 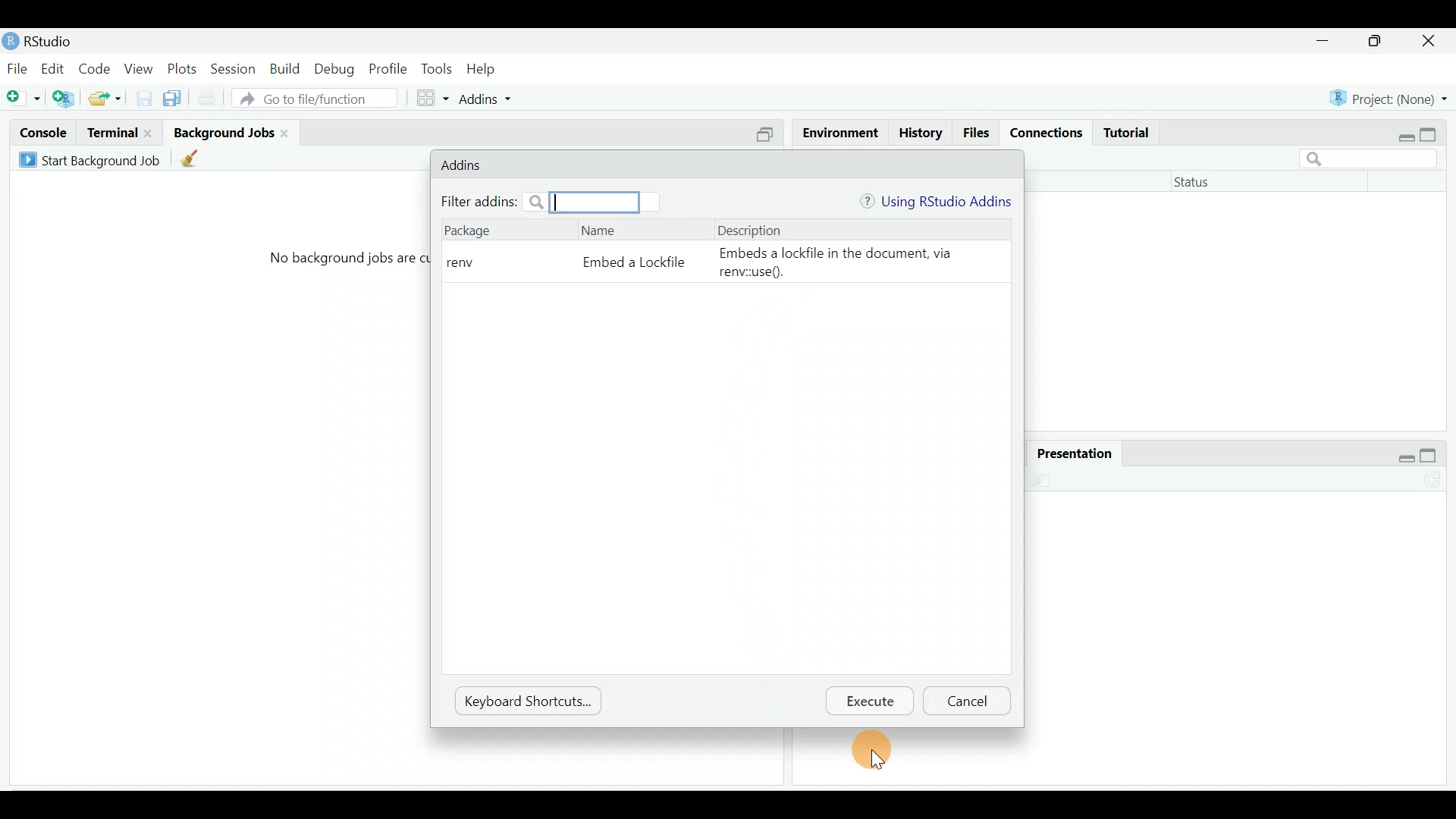 I want to click on Cursor, so click(x=877, y=752).